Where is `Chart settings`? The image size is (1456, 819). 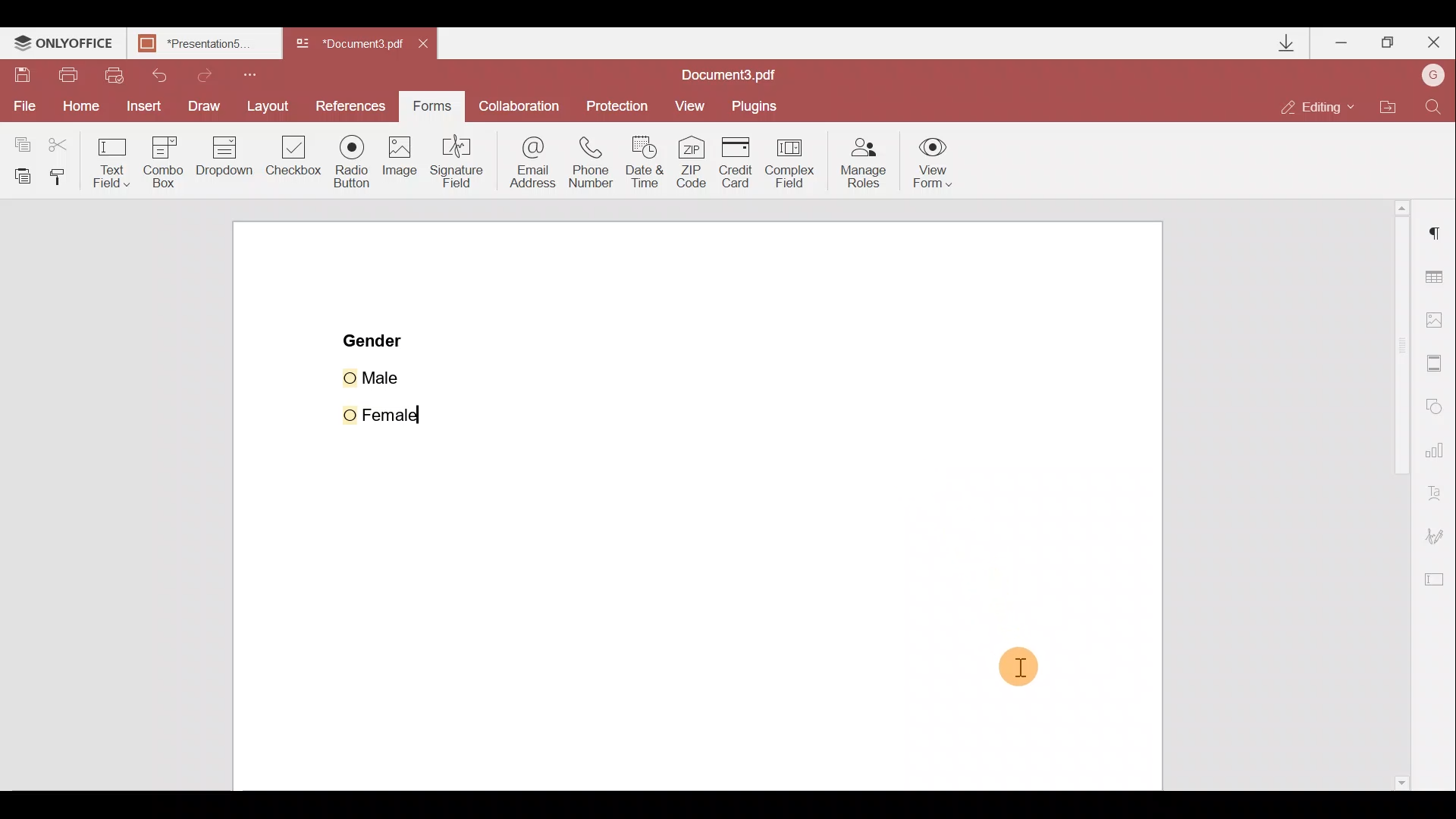
Chart settings is located at coordinates (1437, 456).